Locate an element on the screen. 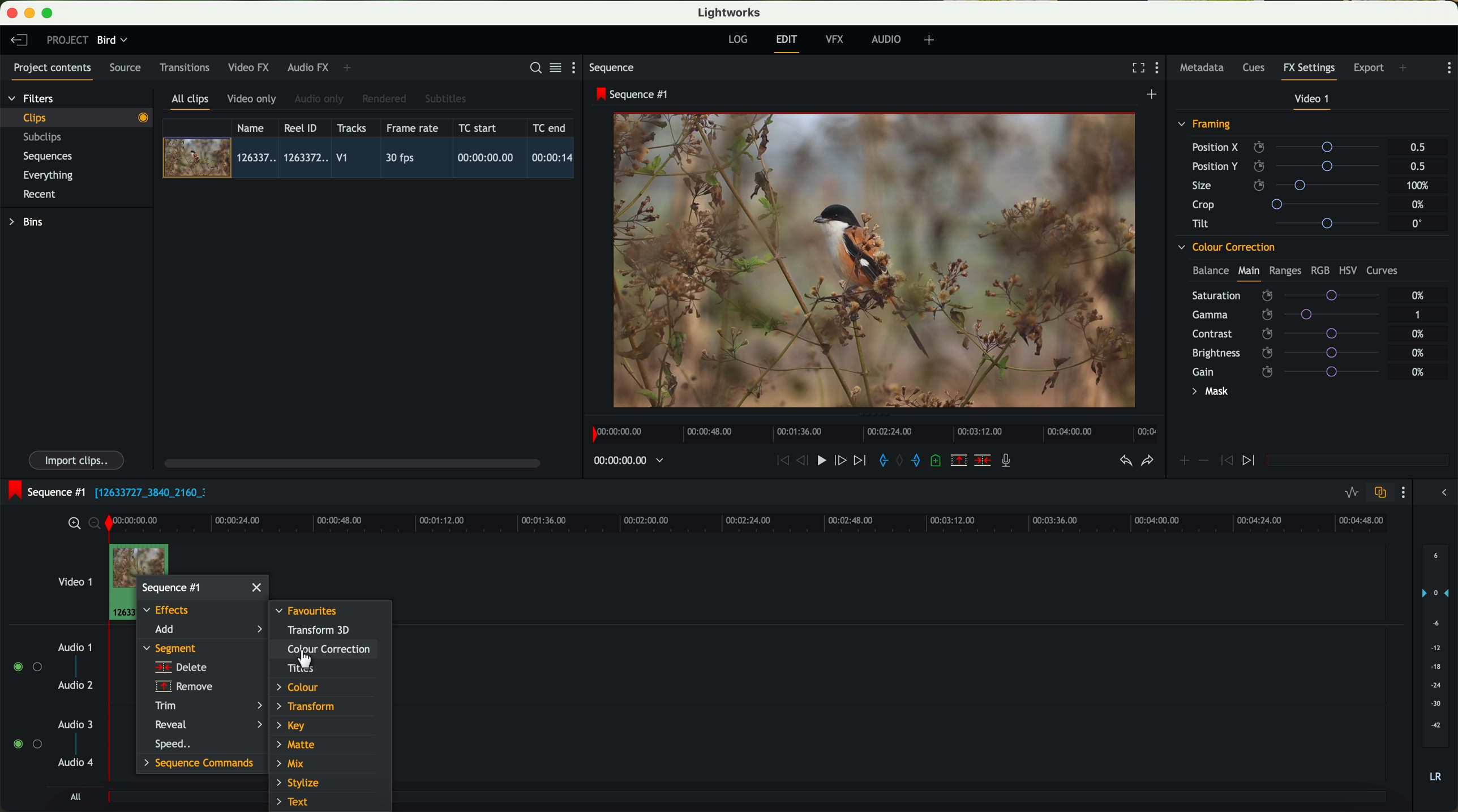 The width and height of the screenshot is (1458, 812). metadata is located at coordinates (1204, 68).